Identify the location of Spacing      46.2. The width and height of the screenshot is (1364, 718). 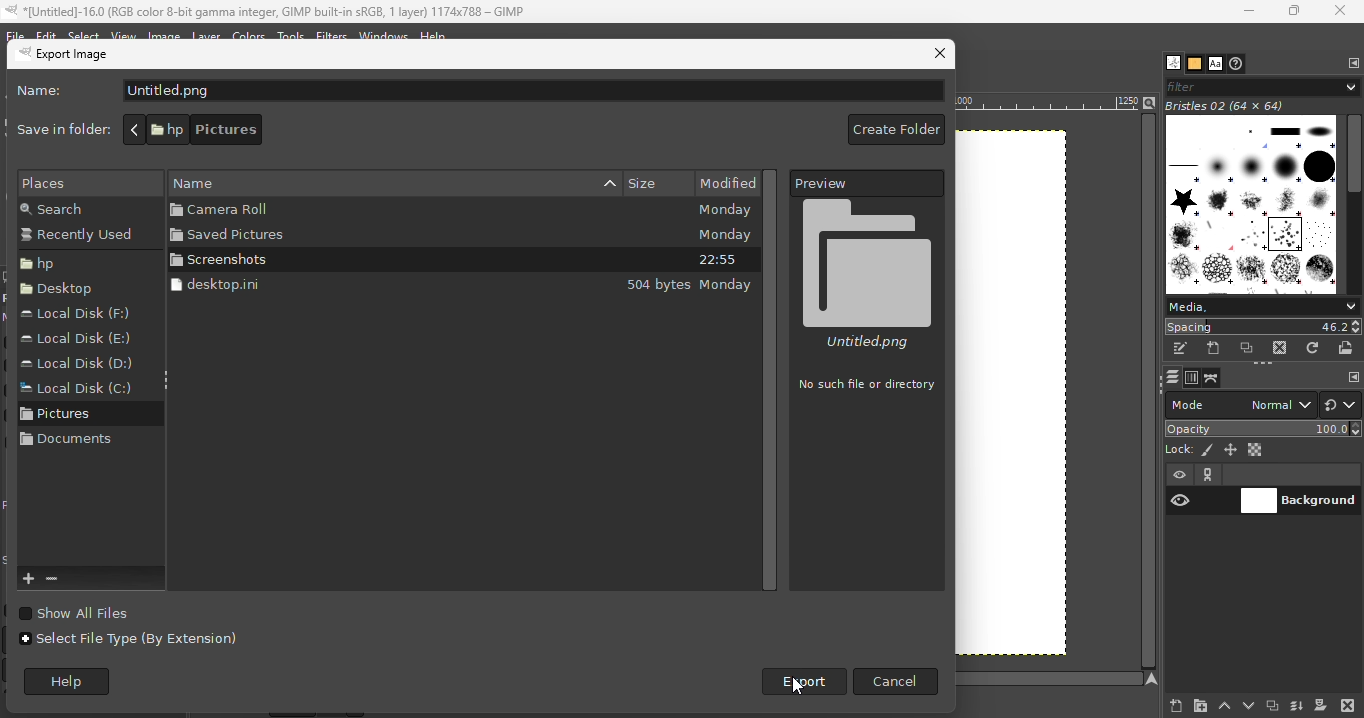
(1263, 326).